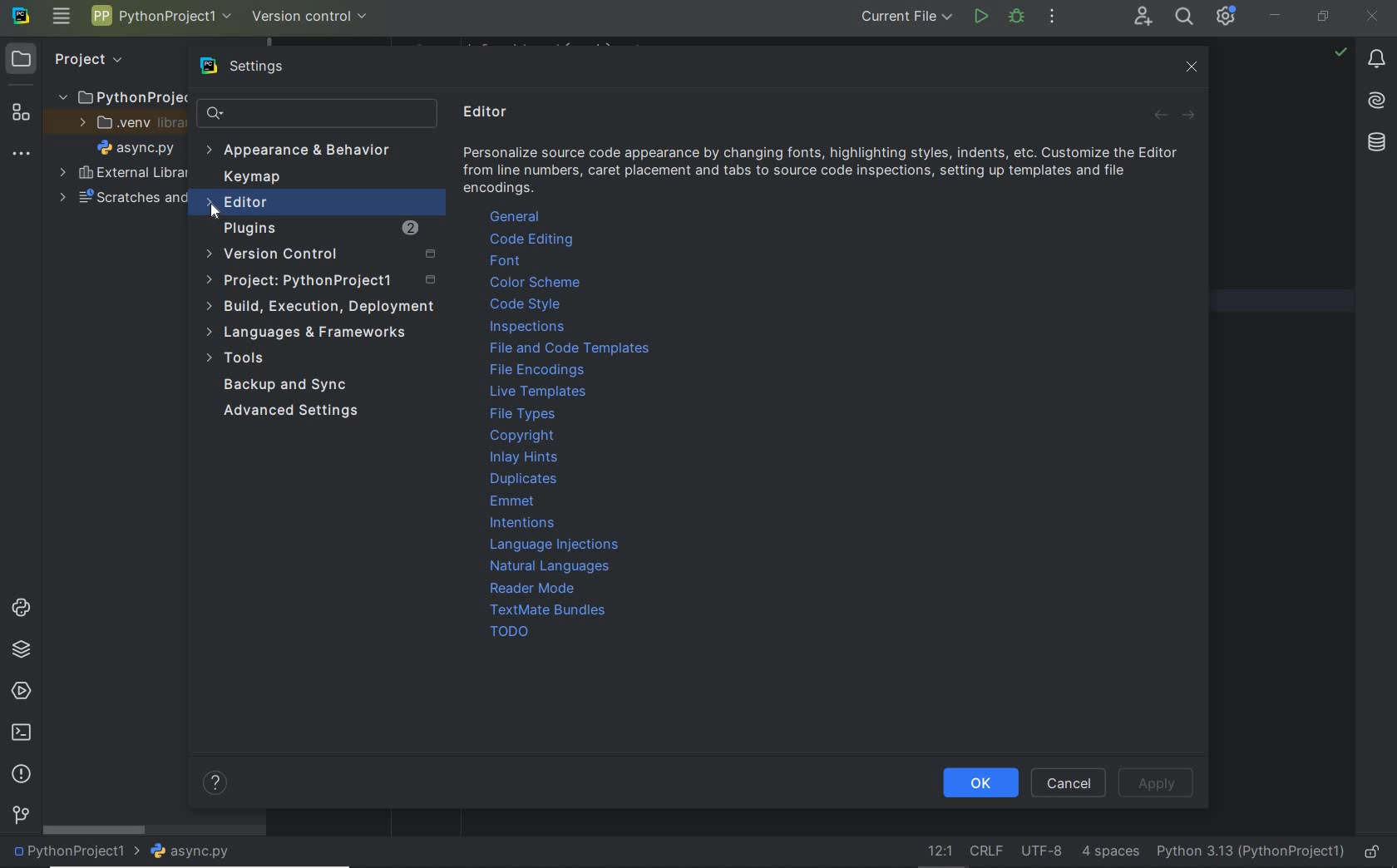 The height and width of the screenshot is (868, 1397). Describe the element at coordinates (1376, 101) in the screenshot. I see `AI Assistant` at that location.